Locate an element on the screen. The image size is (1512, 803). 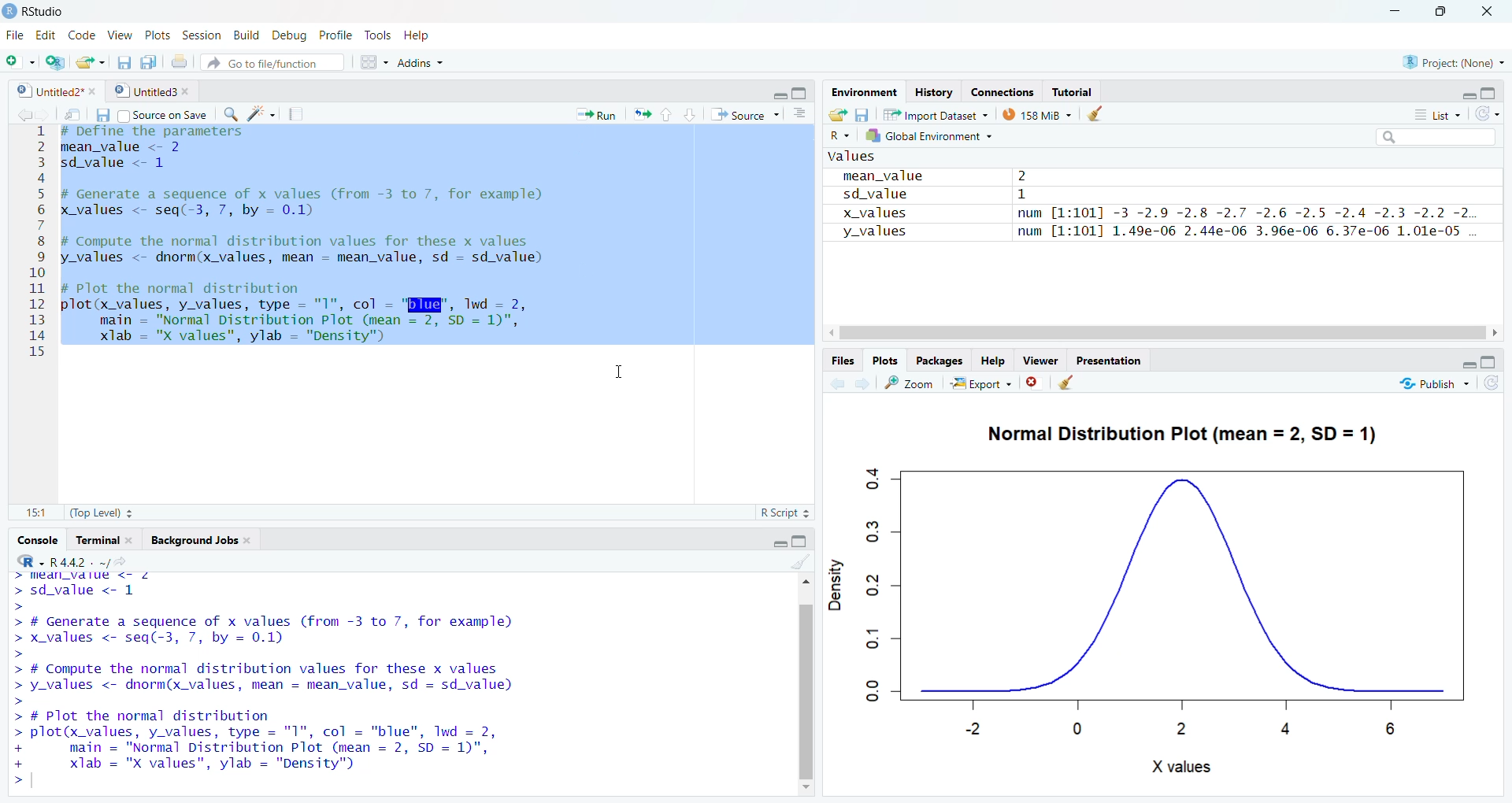
+ Source is located at coordinates (744, 115).